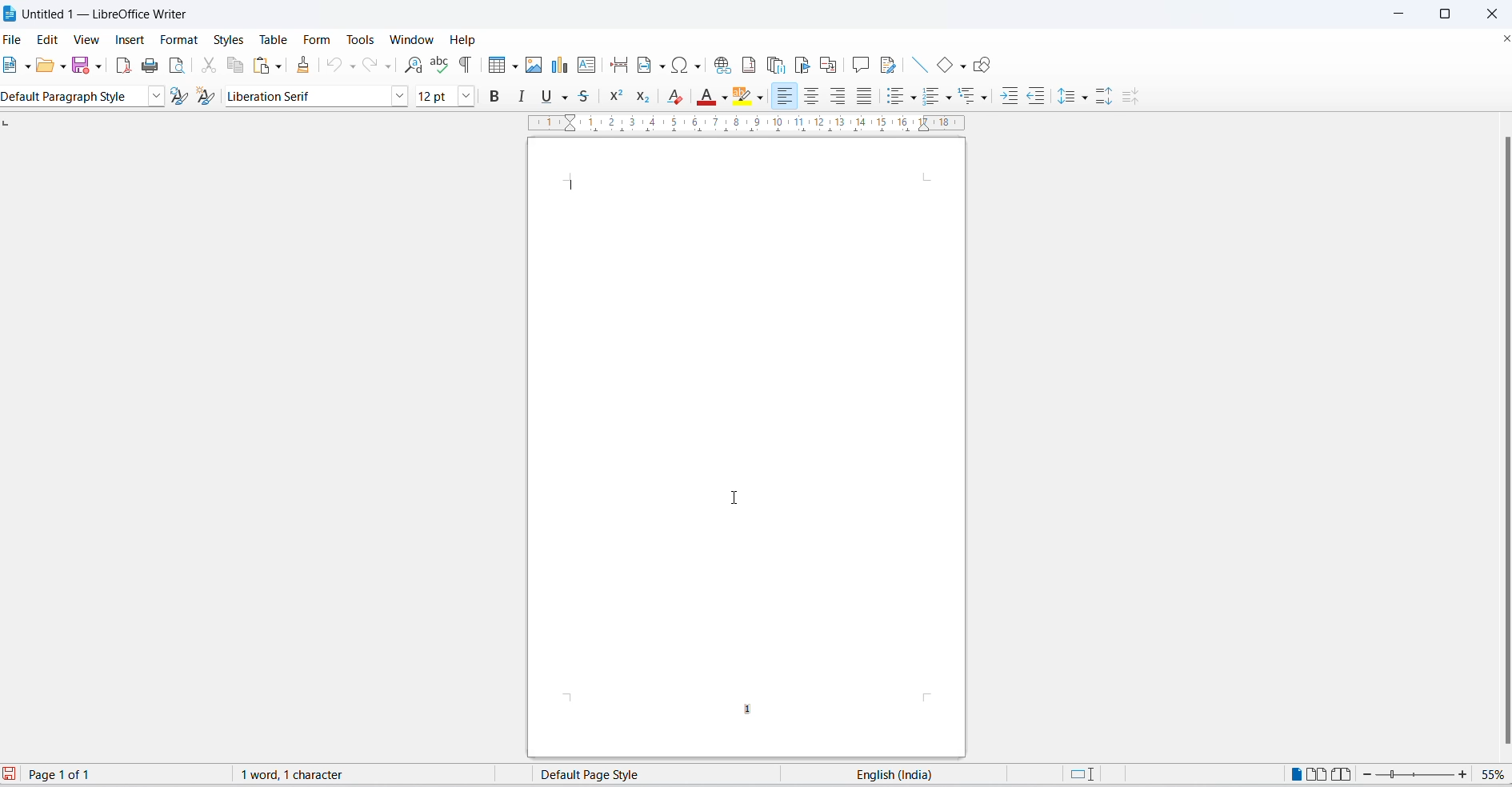 The height and width of the screenshot is (787, 1512). I want to click on word and character count, so click(300, 777).